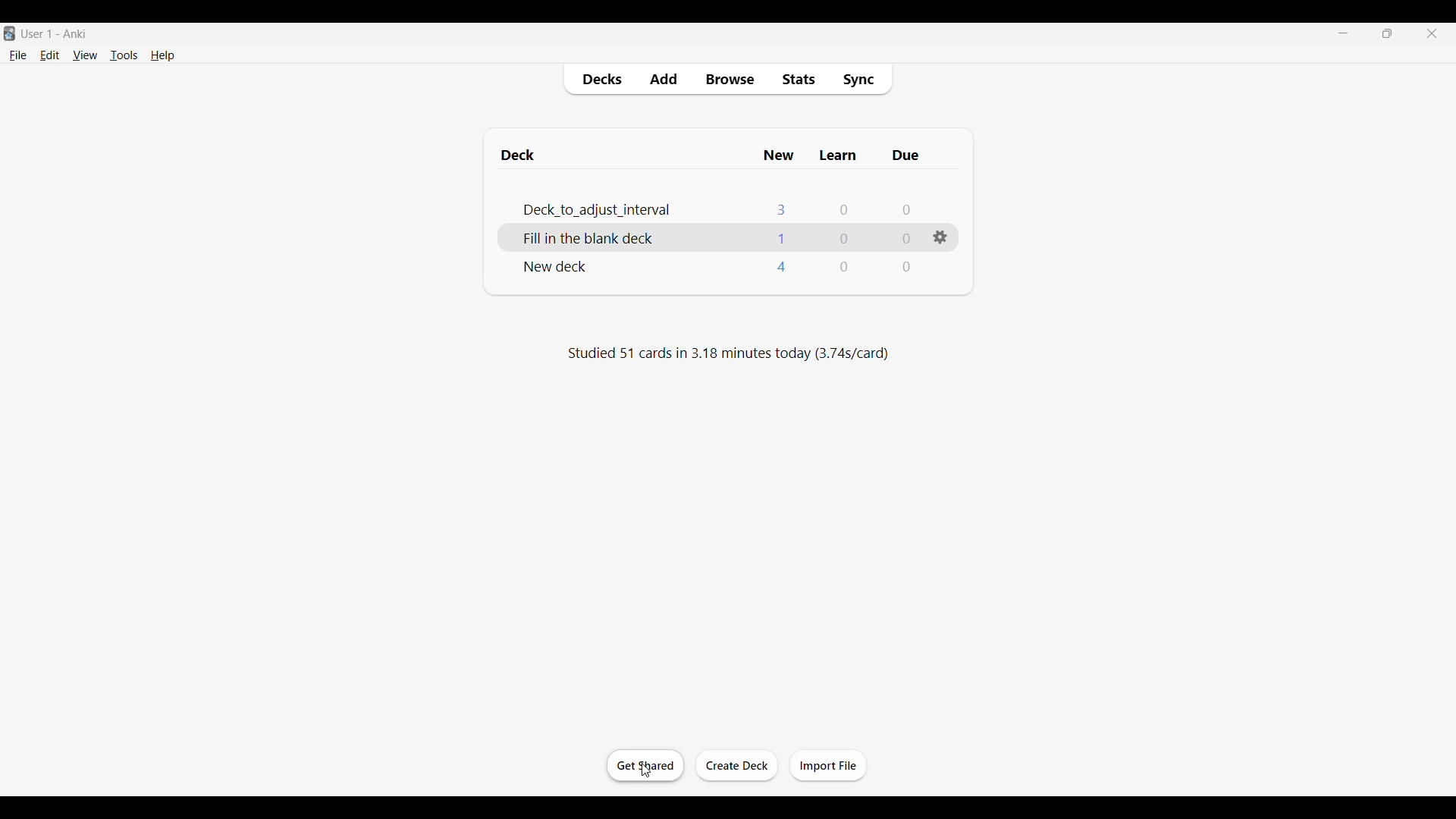  I want to click on Help menu, so click(163, 55).